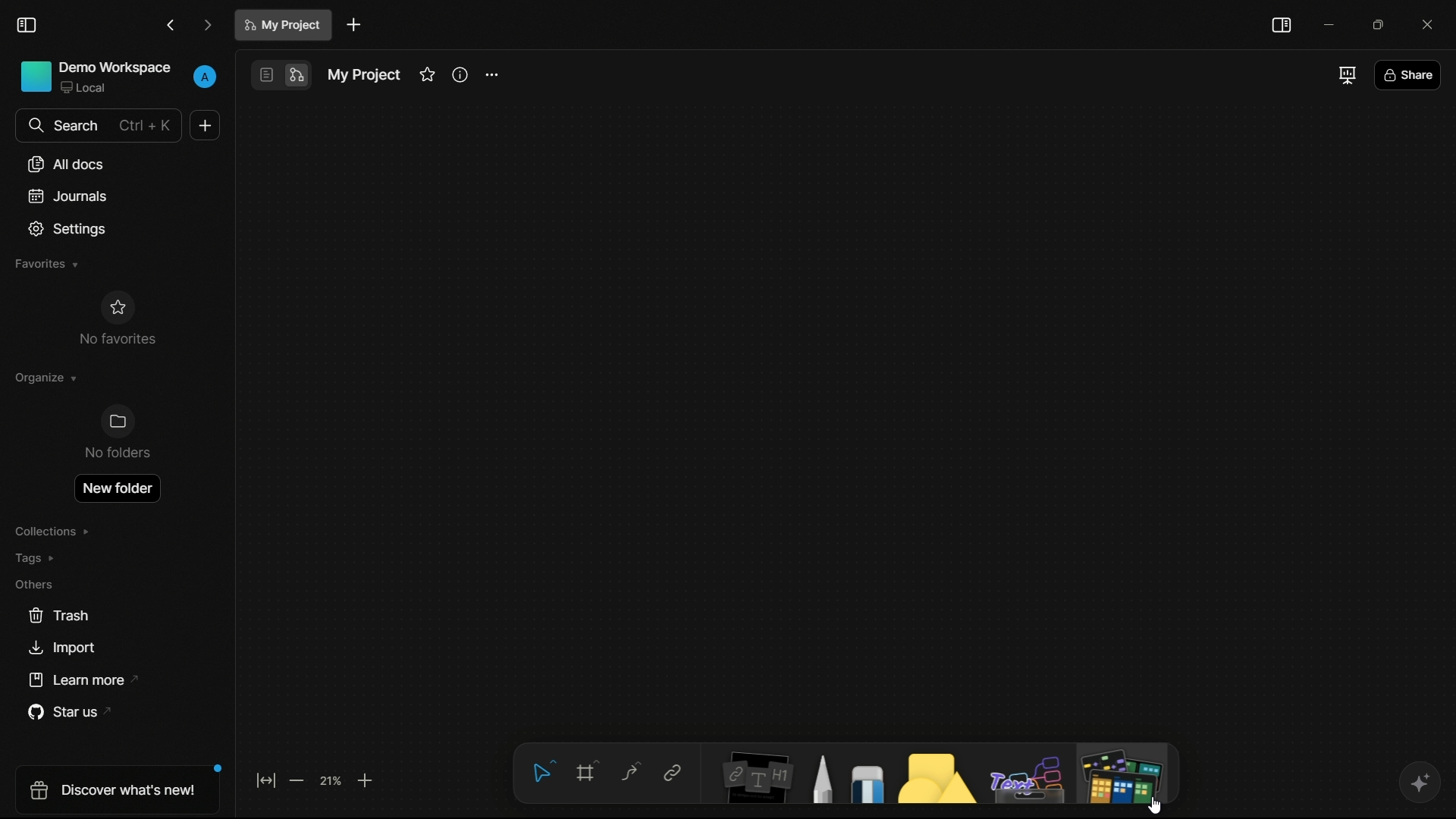  Describe the element at coordinates (1282, 27) in the screenshot. I see `toggle sidebar` at that location.